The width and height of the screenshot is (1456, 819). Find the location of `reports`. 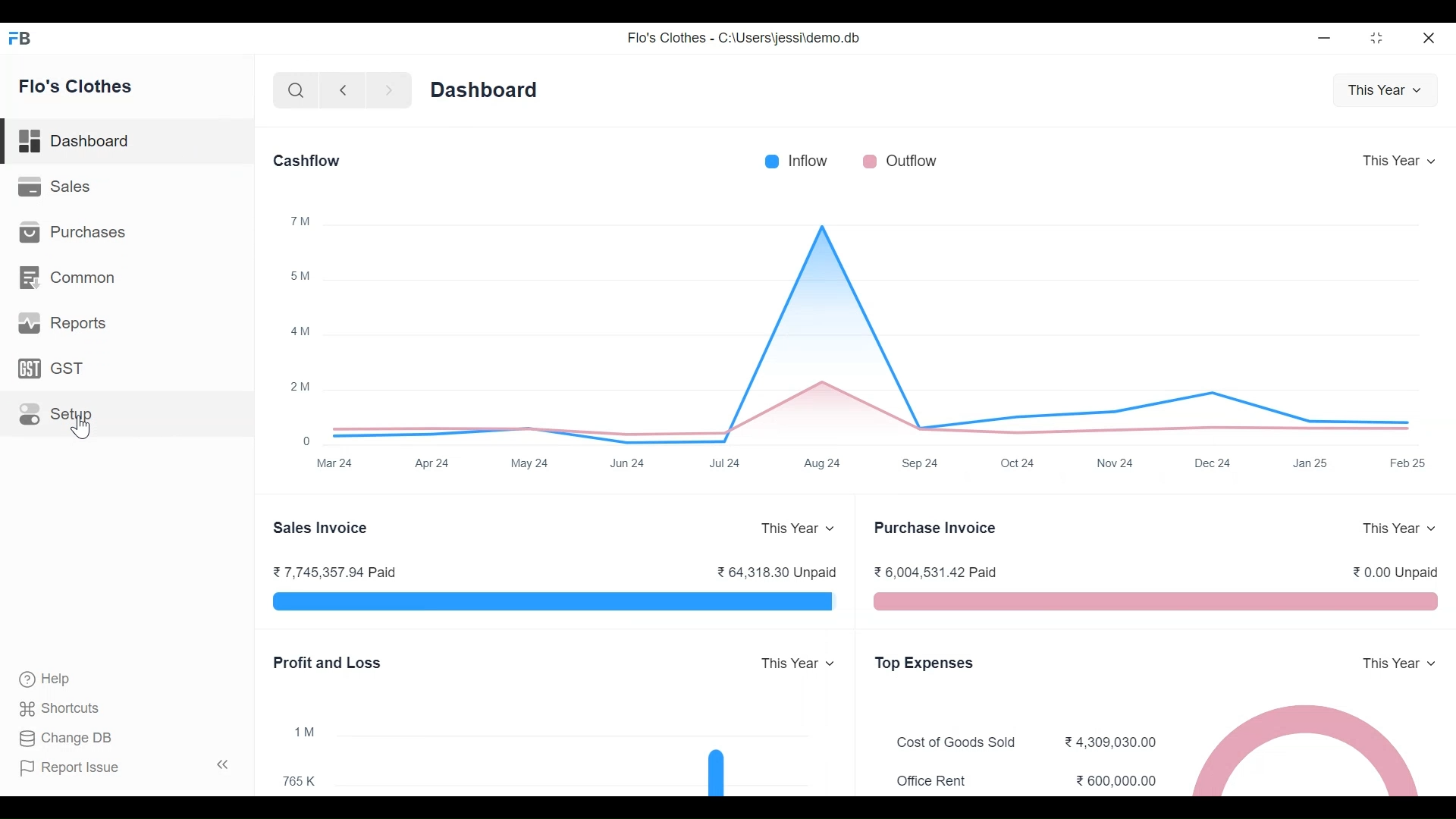

reports is located at coordinates (64, 323).